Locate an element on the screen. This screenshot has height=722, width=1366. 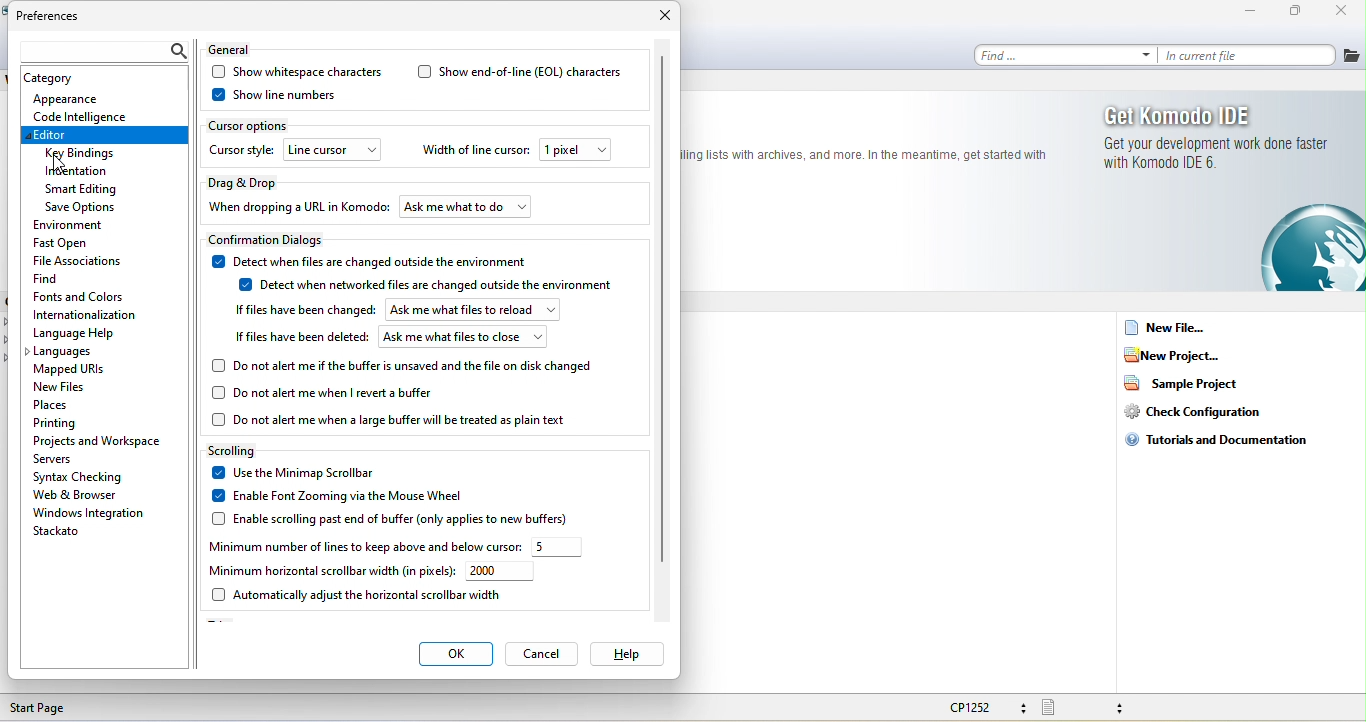
close is located at coordinates (663, 16).